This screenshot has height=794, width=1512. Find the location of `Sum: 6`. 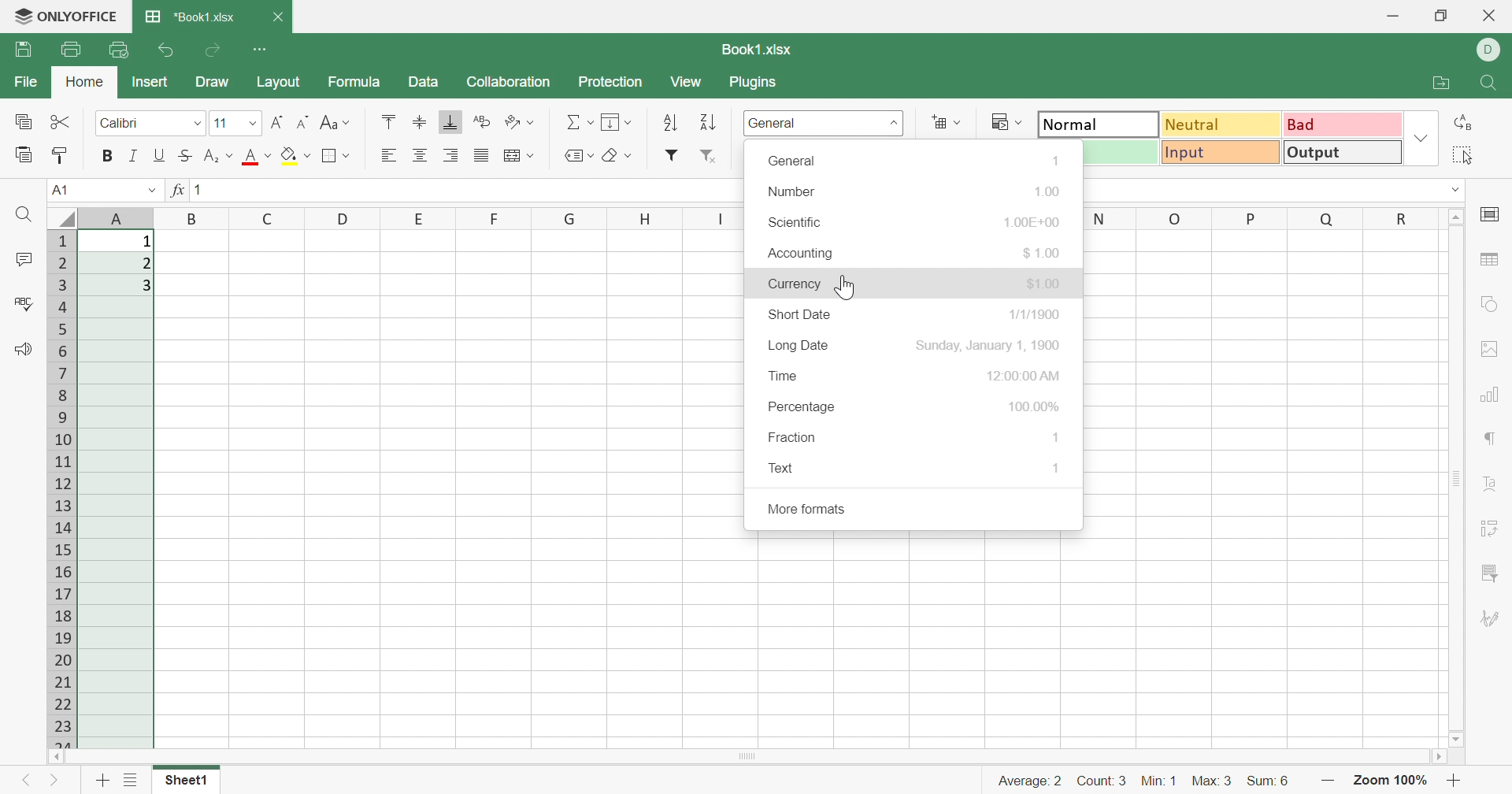

Sum: 6 is located at coordinates (1267, 782).